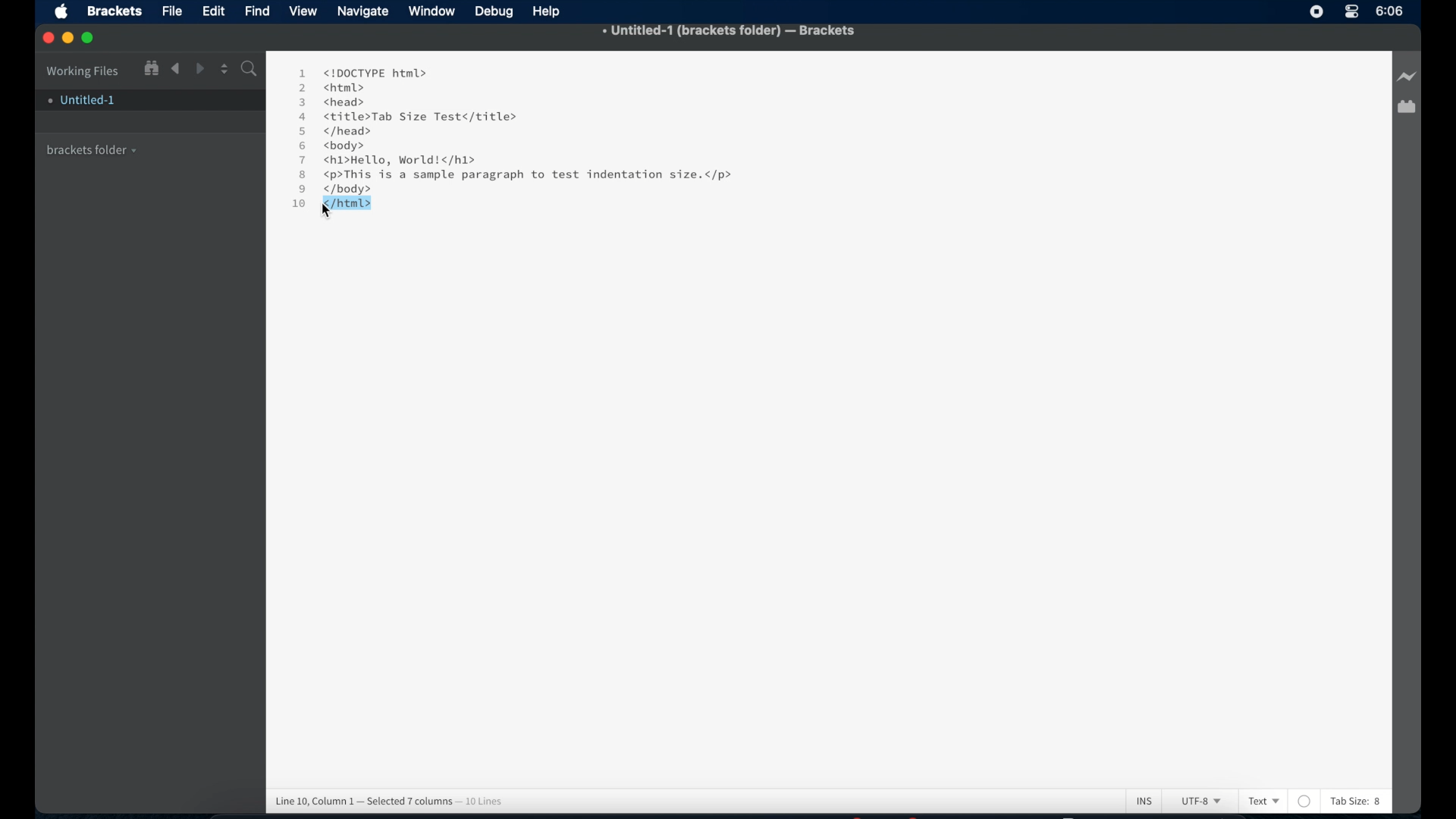 This screenshot has width=1456, height=819. Describe the element at coordinates (201, 68) in the screenshot. I see `Right` at that location.